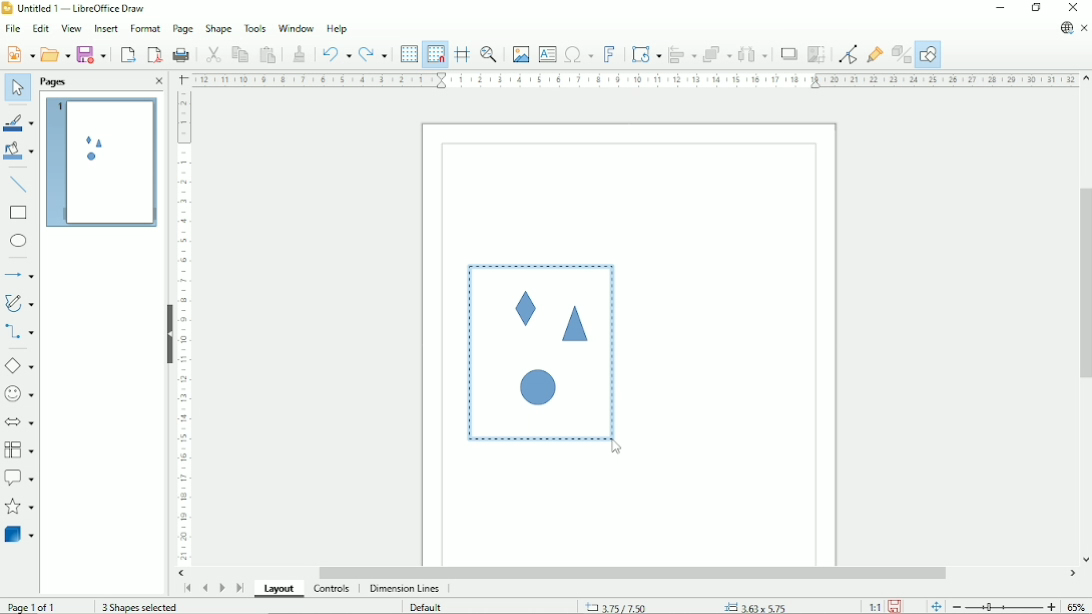 Image resolution: width=1092 pixels, height=614 pixels. Describe the element at coordinates (896, 606) in the screenshot. I see `Save` at that location.